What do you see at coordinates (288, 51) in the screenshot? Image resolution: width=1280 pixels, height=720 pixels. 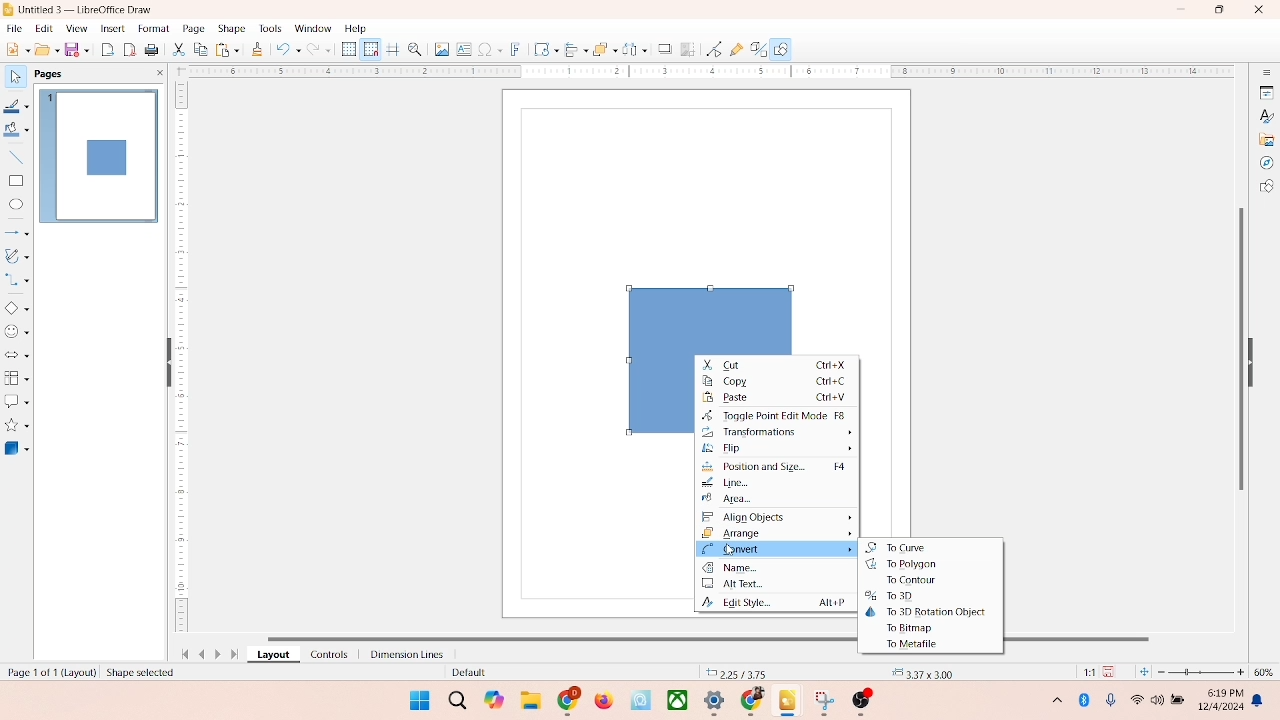 I see `undo` at bounding box center [288, 51].